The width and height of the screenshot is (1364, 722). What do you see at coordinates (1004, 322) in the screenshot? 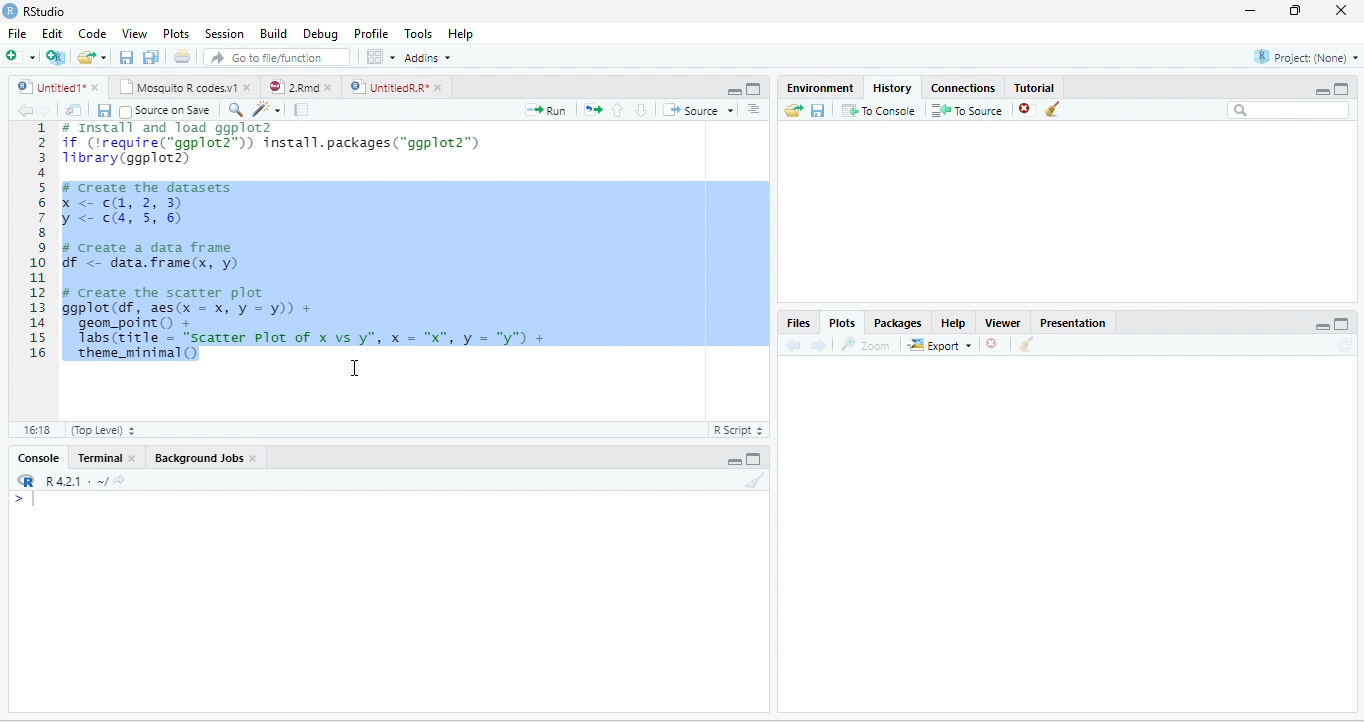
I see `Viewer` at bounding box center [1004, 322].